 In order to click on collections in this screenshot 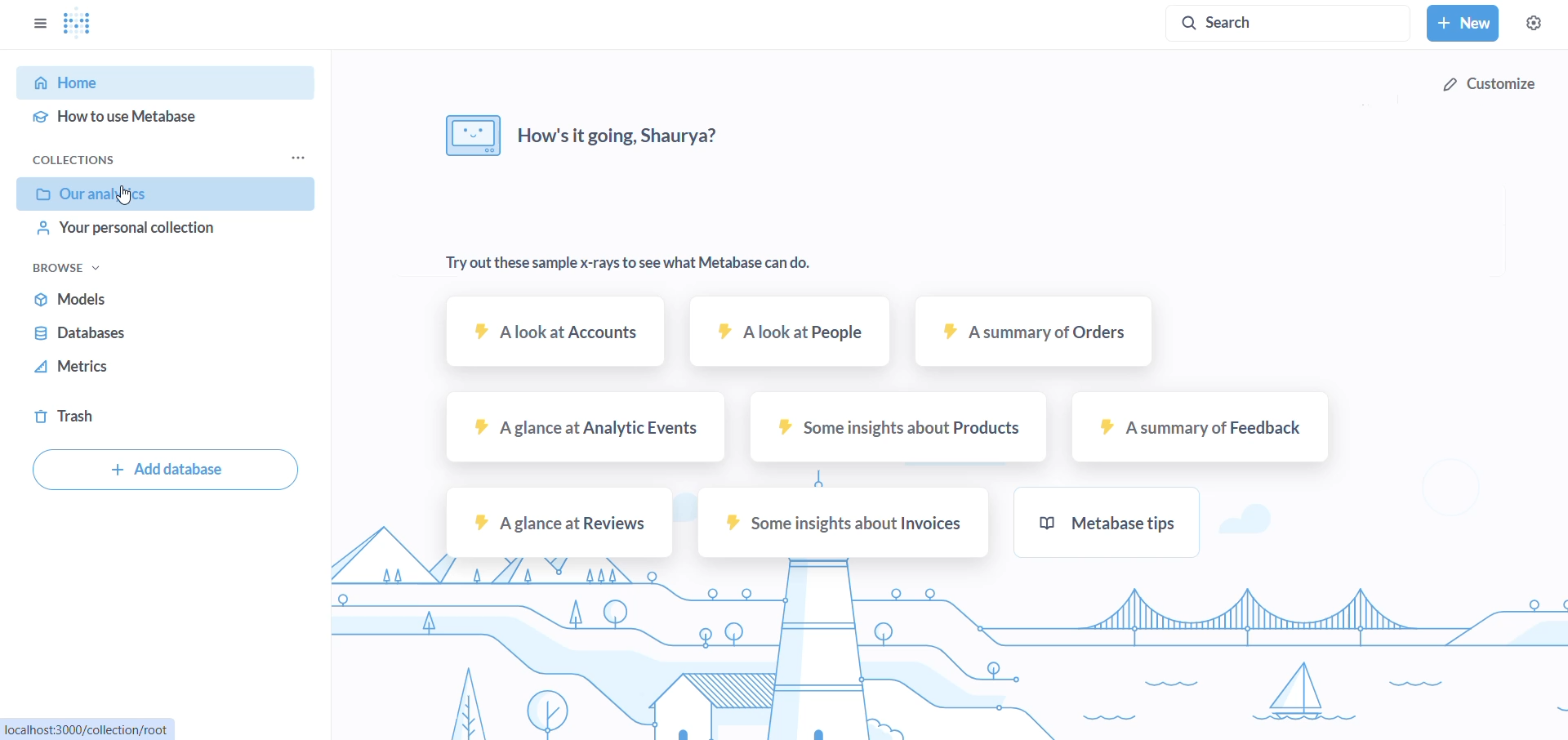, I will do `click(75, 159)`.